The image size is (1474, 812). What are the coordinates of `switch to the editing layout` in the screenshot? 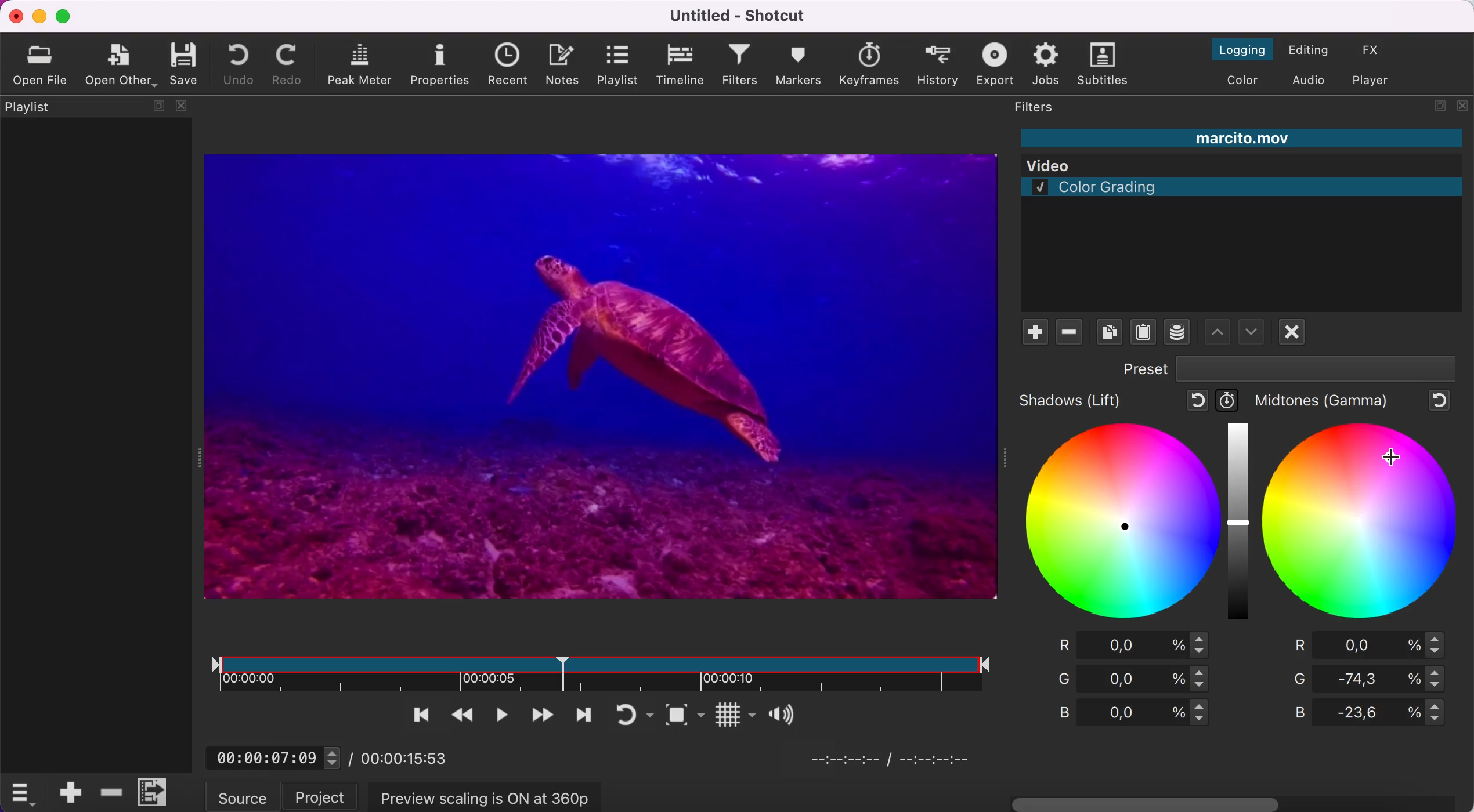 It's located at (1312, 50).